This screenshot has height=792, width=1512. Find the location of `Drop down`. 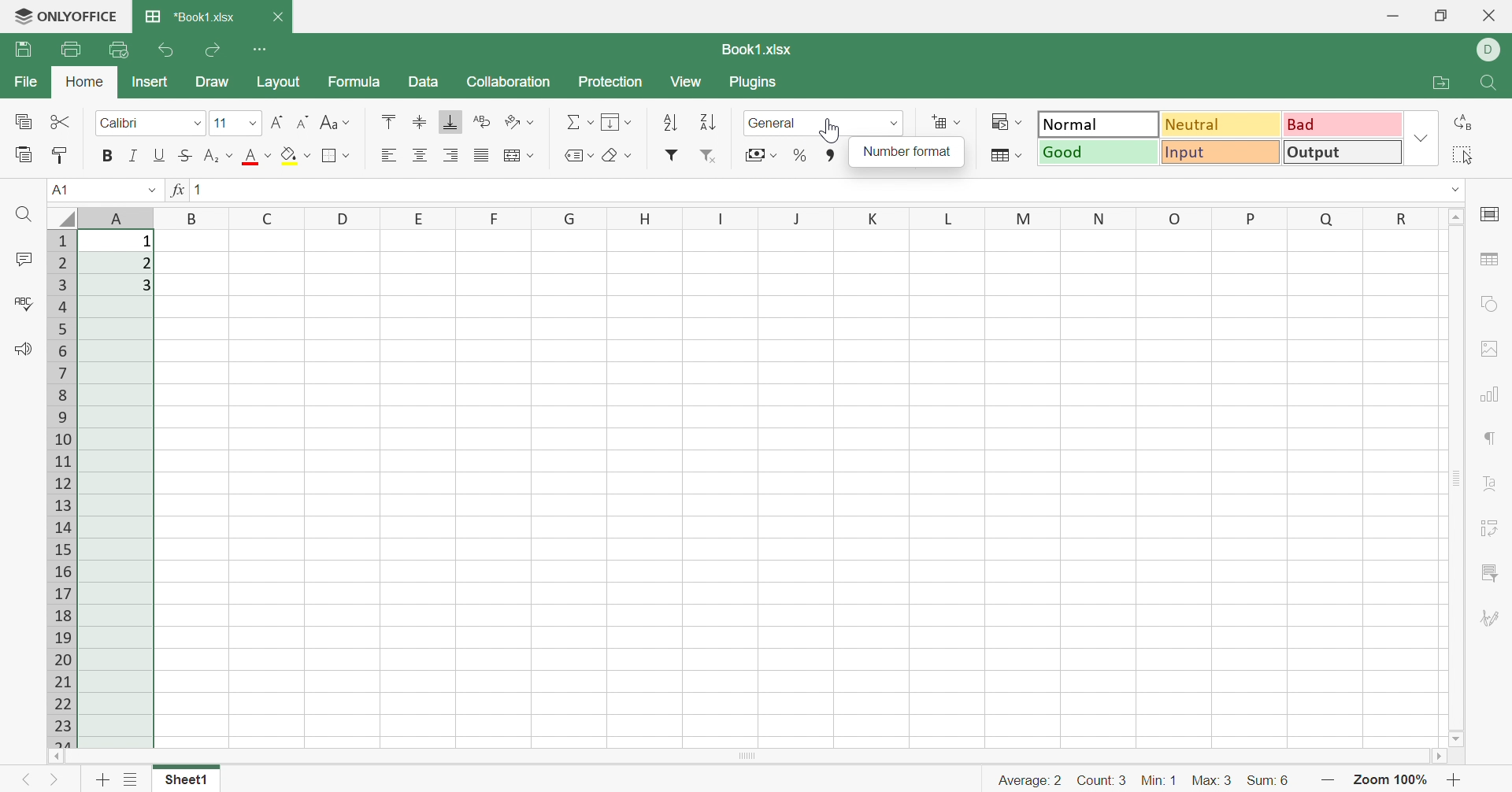

Drop down is located at coordinates (1421, 136).